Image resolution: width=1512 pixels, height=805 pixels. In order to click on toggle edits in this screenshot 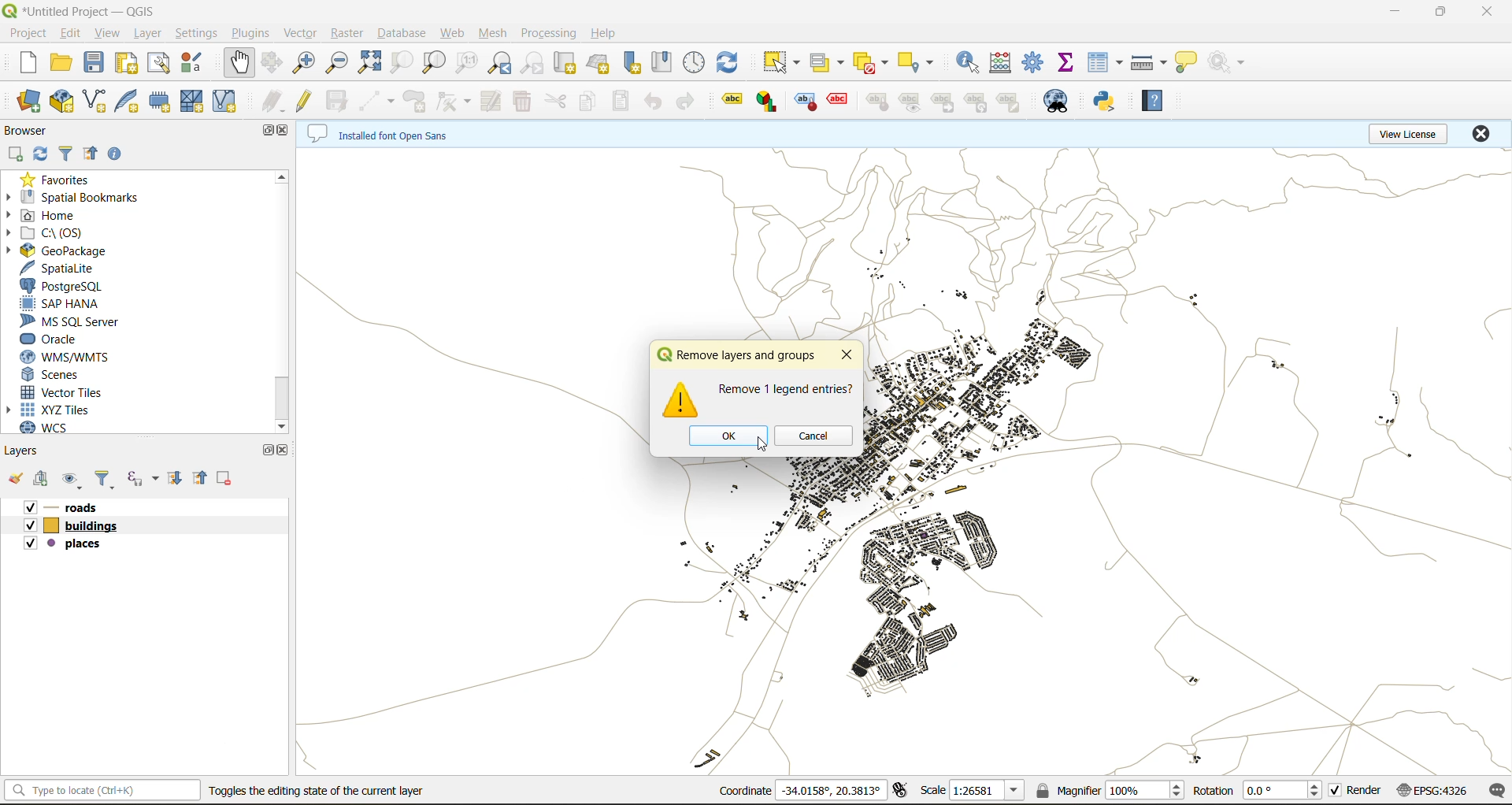, I will do `click(305, 99)`.